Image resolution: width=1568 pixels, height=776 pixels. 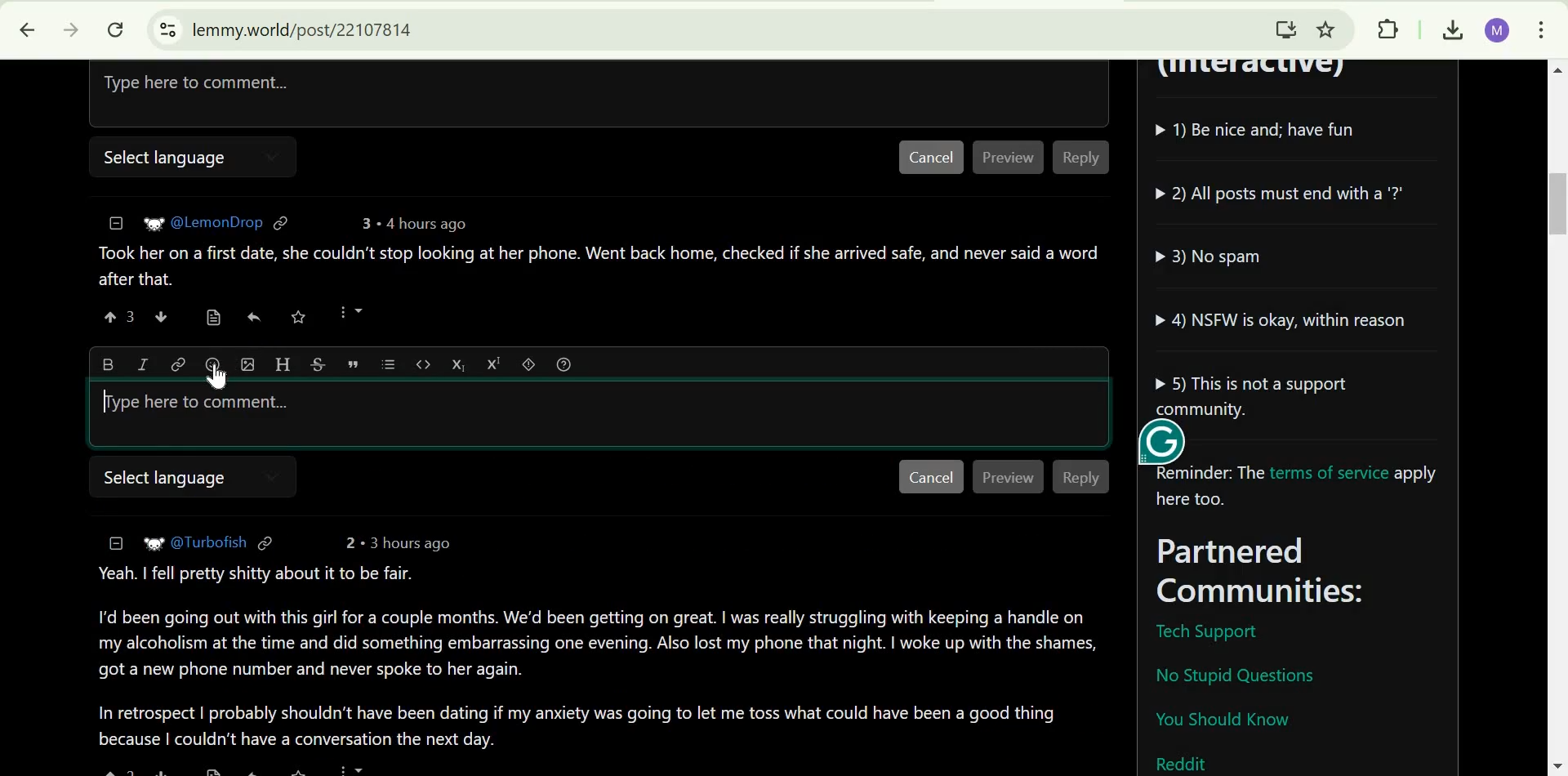 What do you see at coordinates (563, 364) in the screenshot?
I see `Formatting help` at bounding box center [563, 364].